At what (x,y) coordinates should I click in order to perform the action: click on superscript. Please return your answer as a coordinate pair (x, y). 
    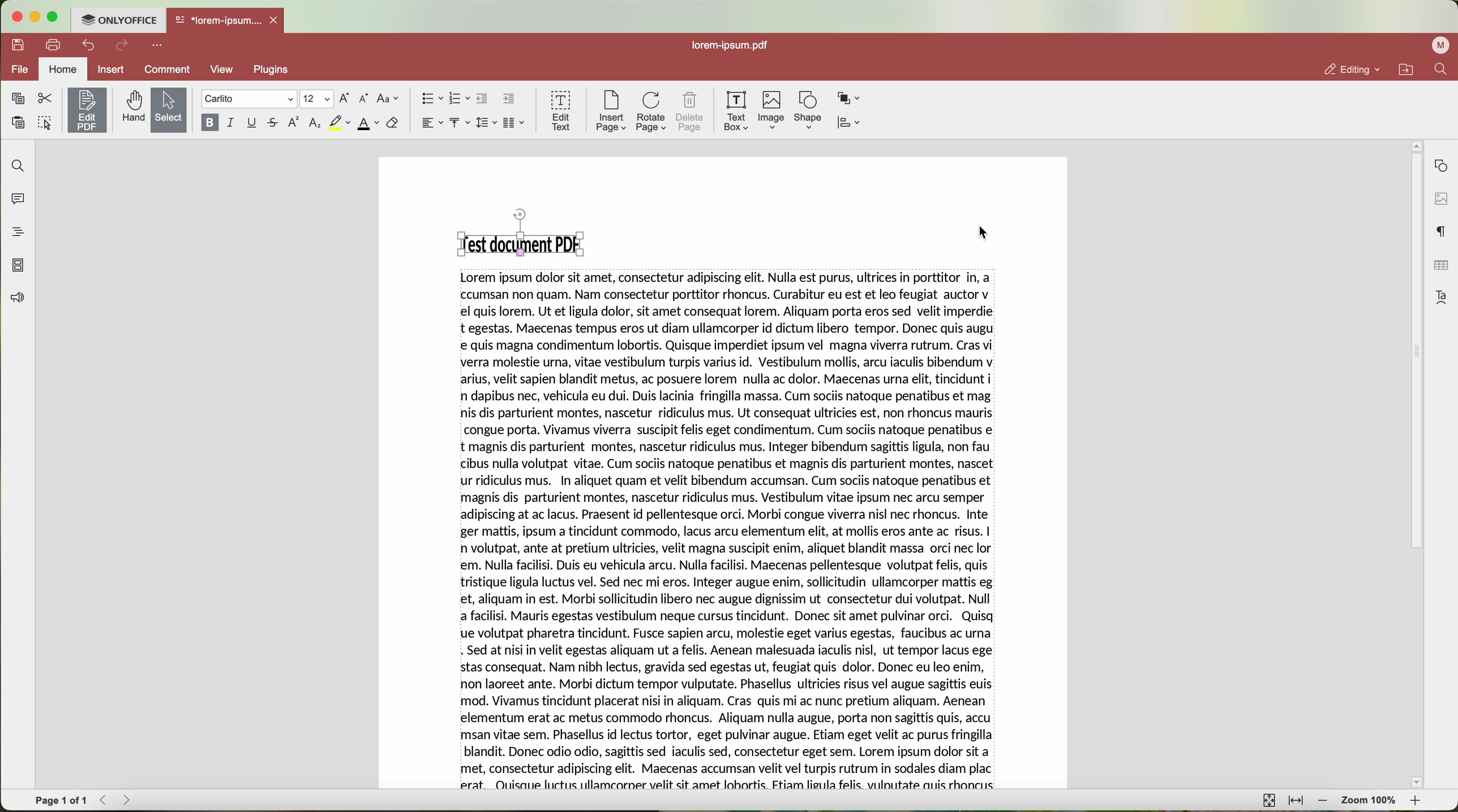
    Looking at the image, I should click on (295, 123).